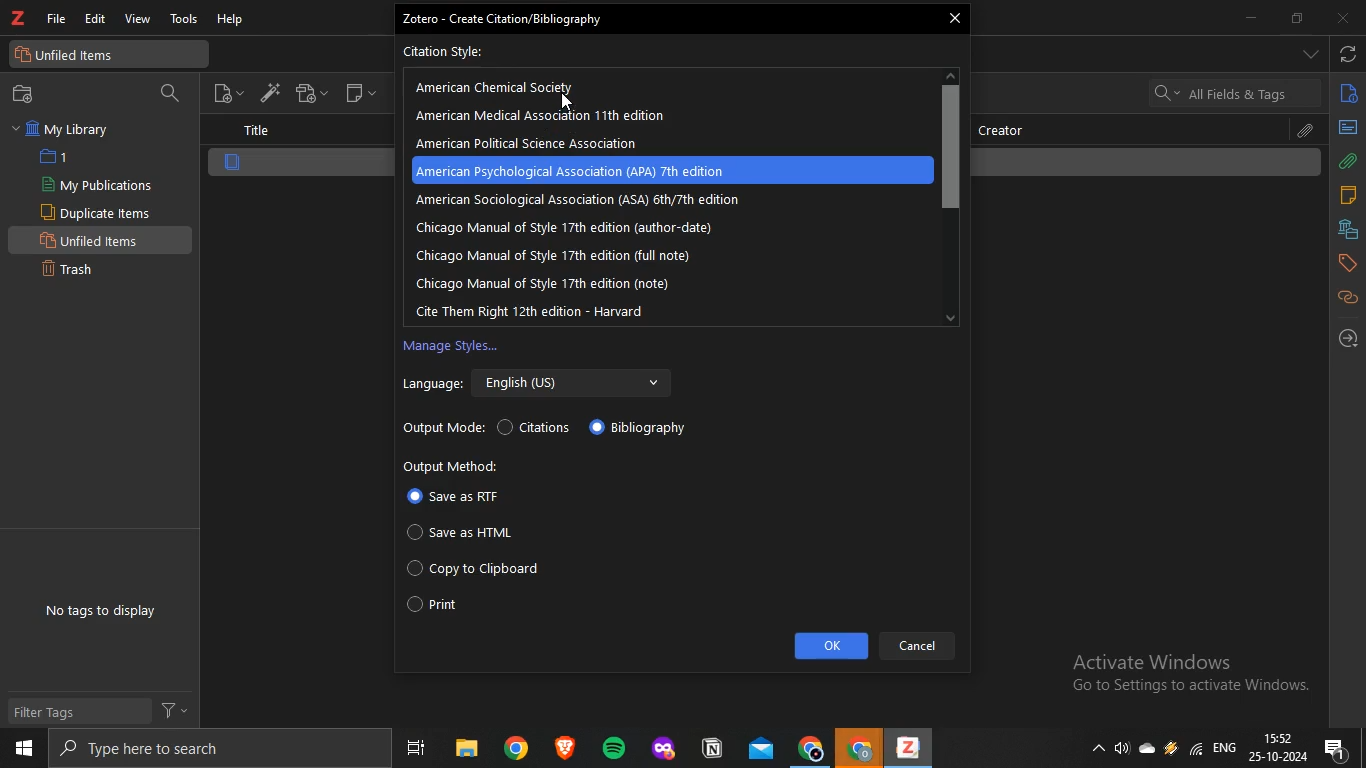 The height and width of the screenshot is (768, 1366). I want to click on close, so click(1341, 19).